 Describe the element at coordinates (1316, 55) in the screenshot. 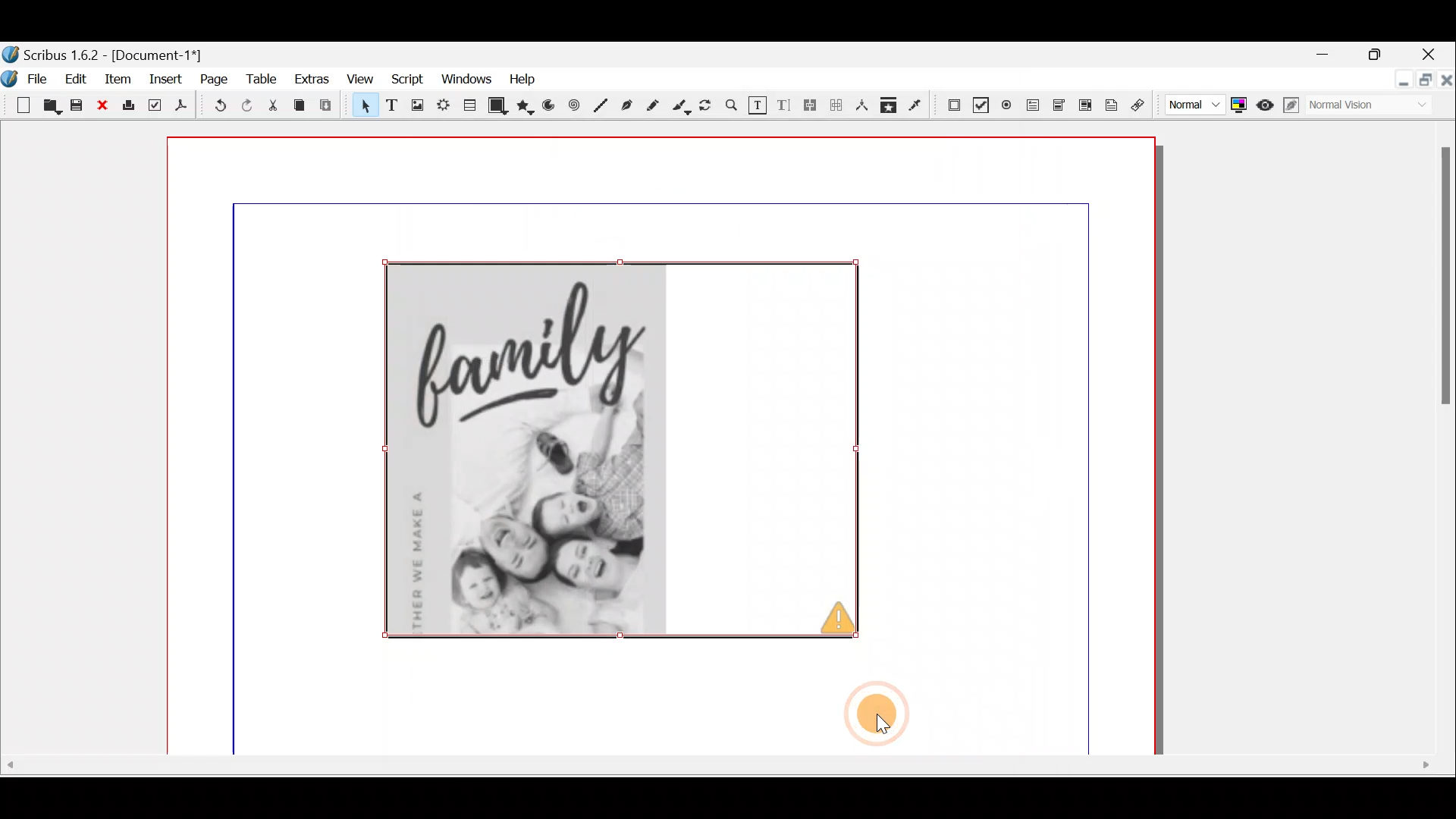

I see `Minimise` at that location.